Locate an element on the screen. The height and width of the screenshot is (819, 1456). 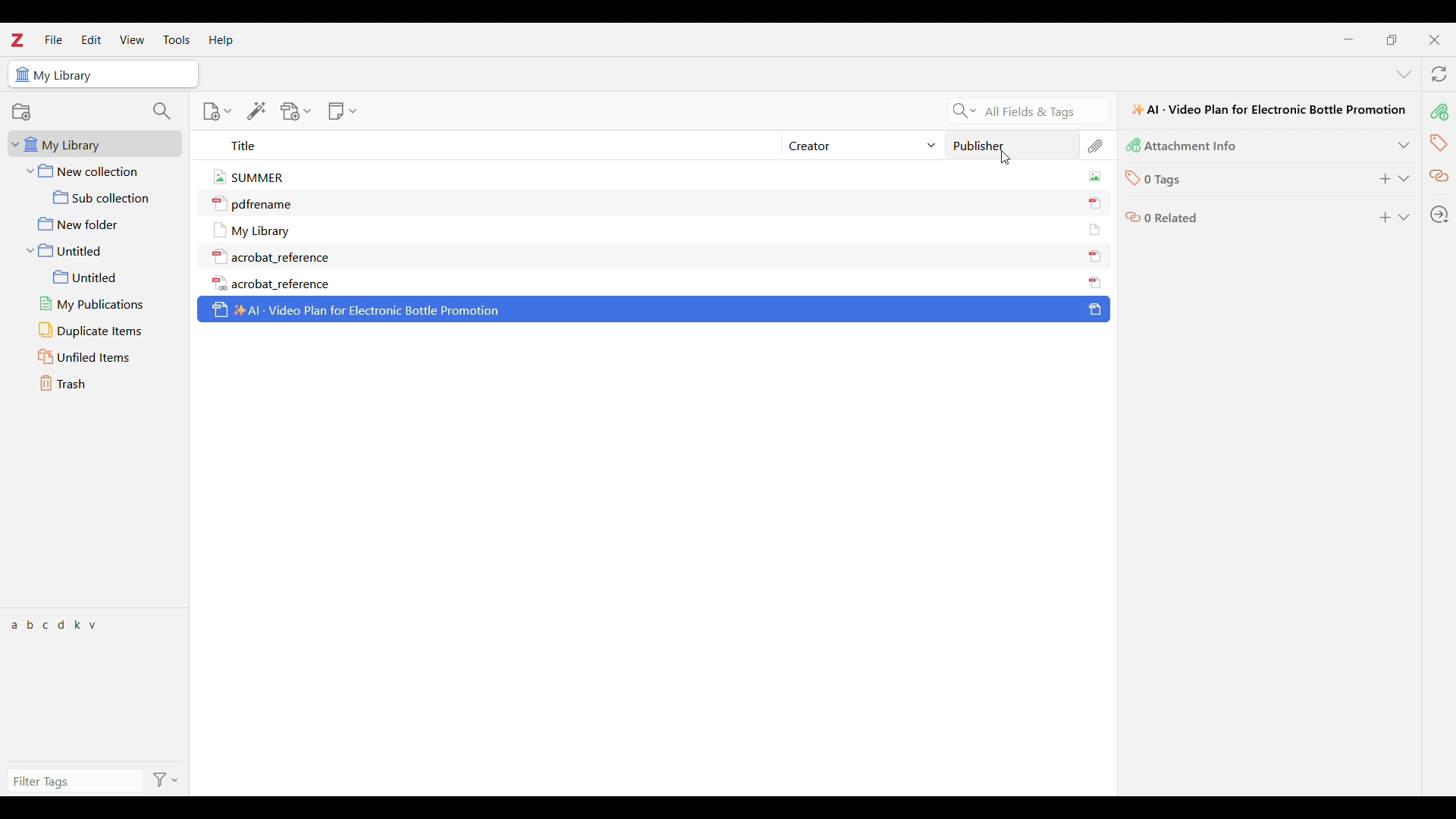
Attachment info is located at coordinates (1438, 112).